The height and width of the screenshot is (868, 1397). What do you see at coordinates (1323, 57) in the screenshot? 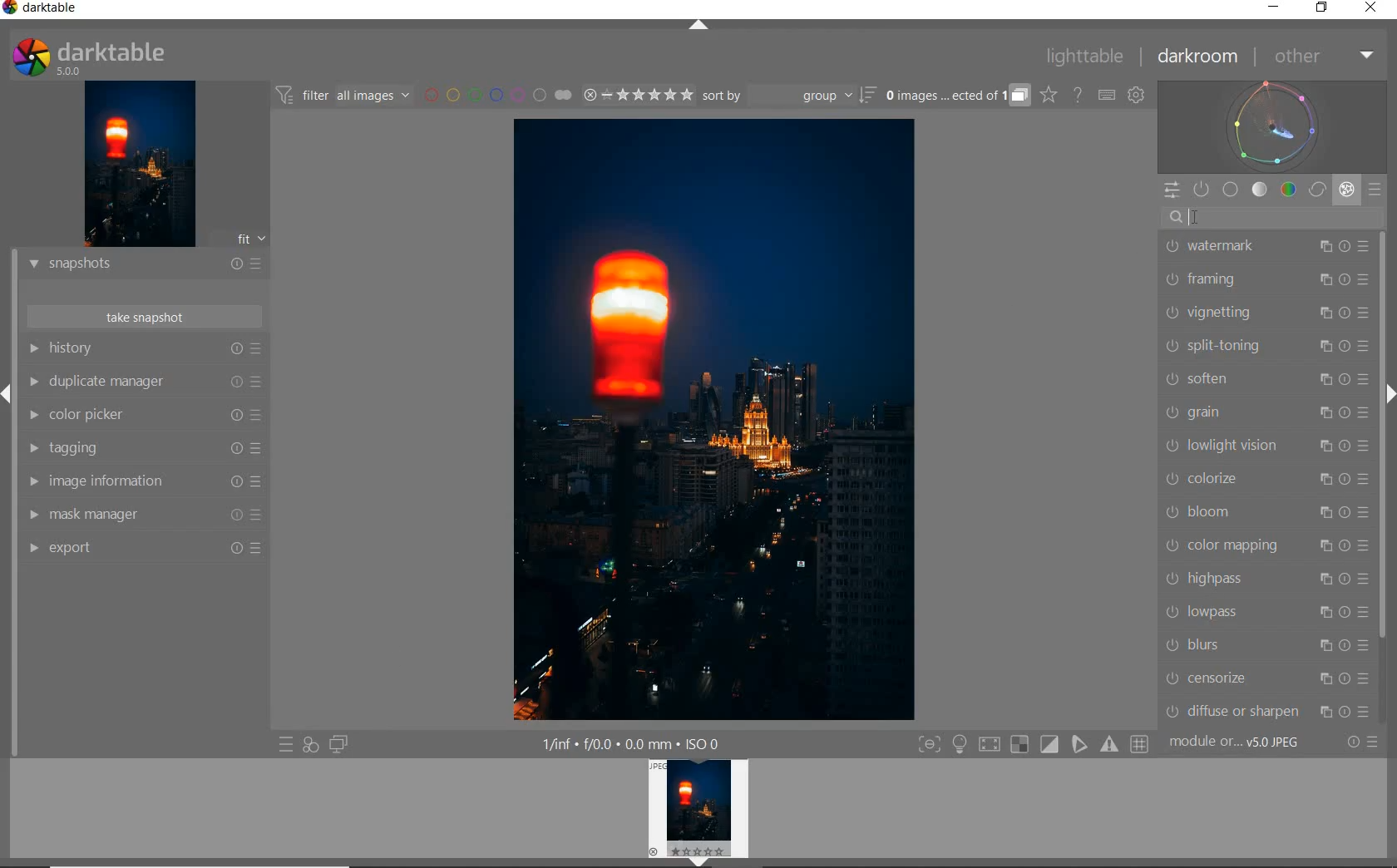
I see `OTHER` at bounding box center [1323, 57].